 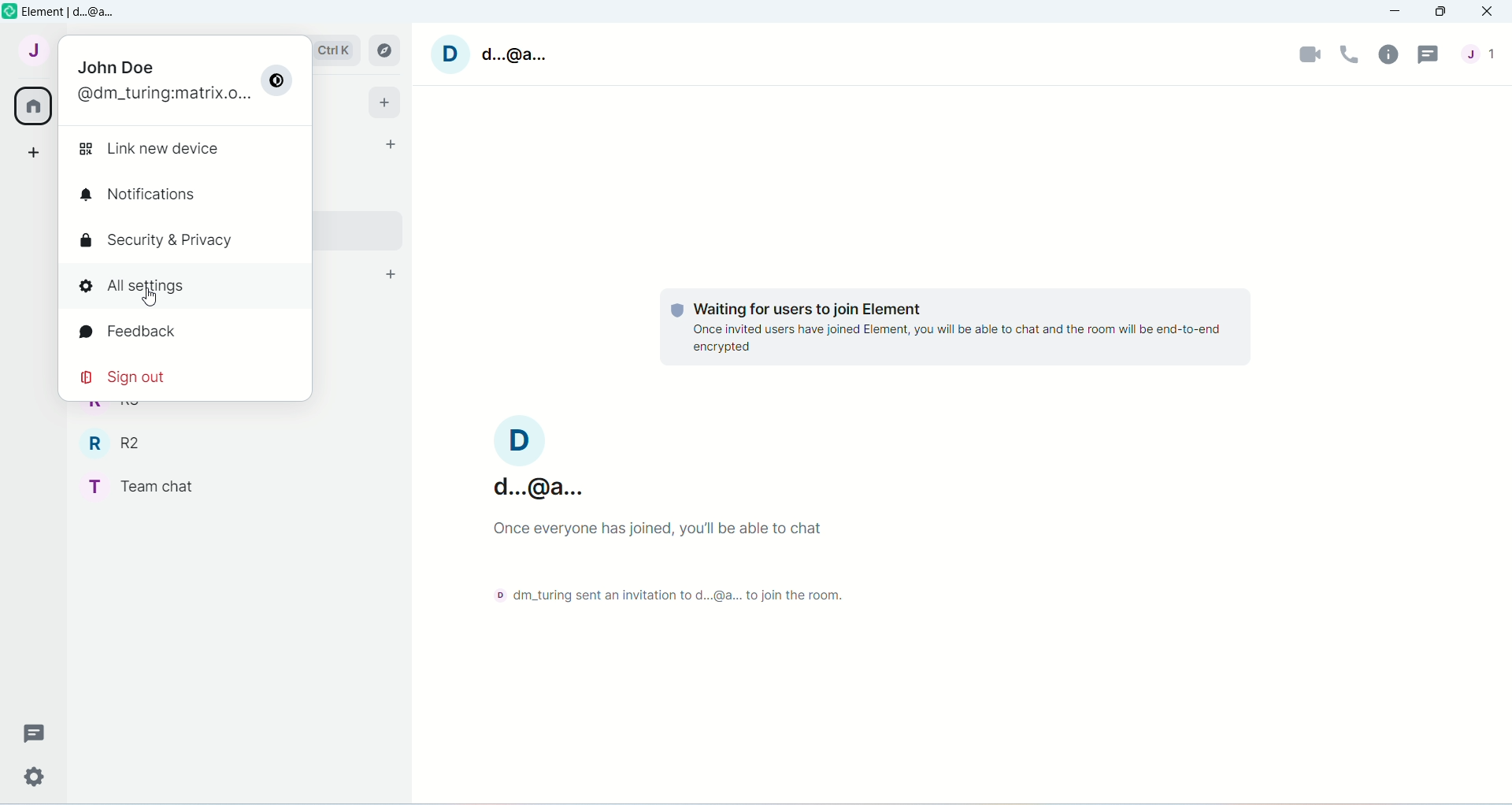 What do you see at coordinates (30, 56) in the screenshot?
I see `User menu` at bounding box center [30, 56].